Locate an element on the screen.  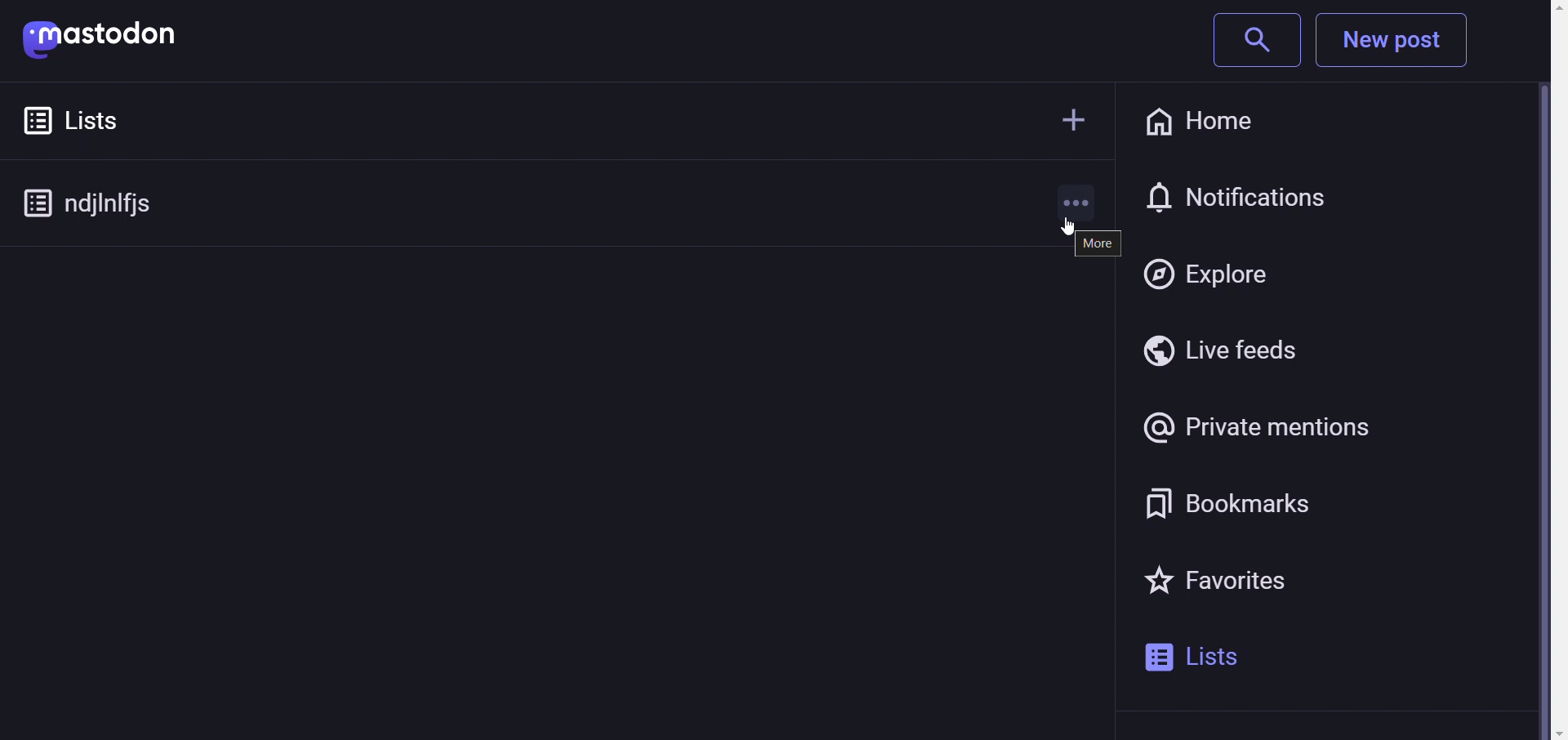
mastodon is located at coordinates (129, 38).